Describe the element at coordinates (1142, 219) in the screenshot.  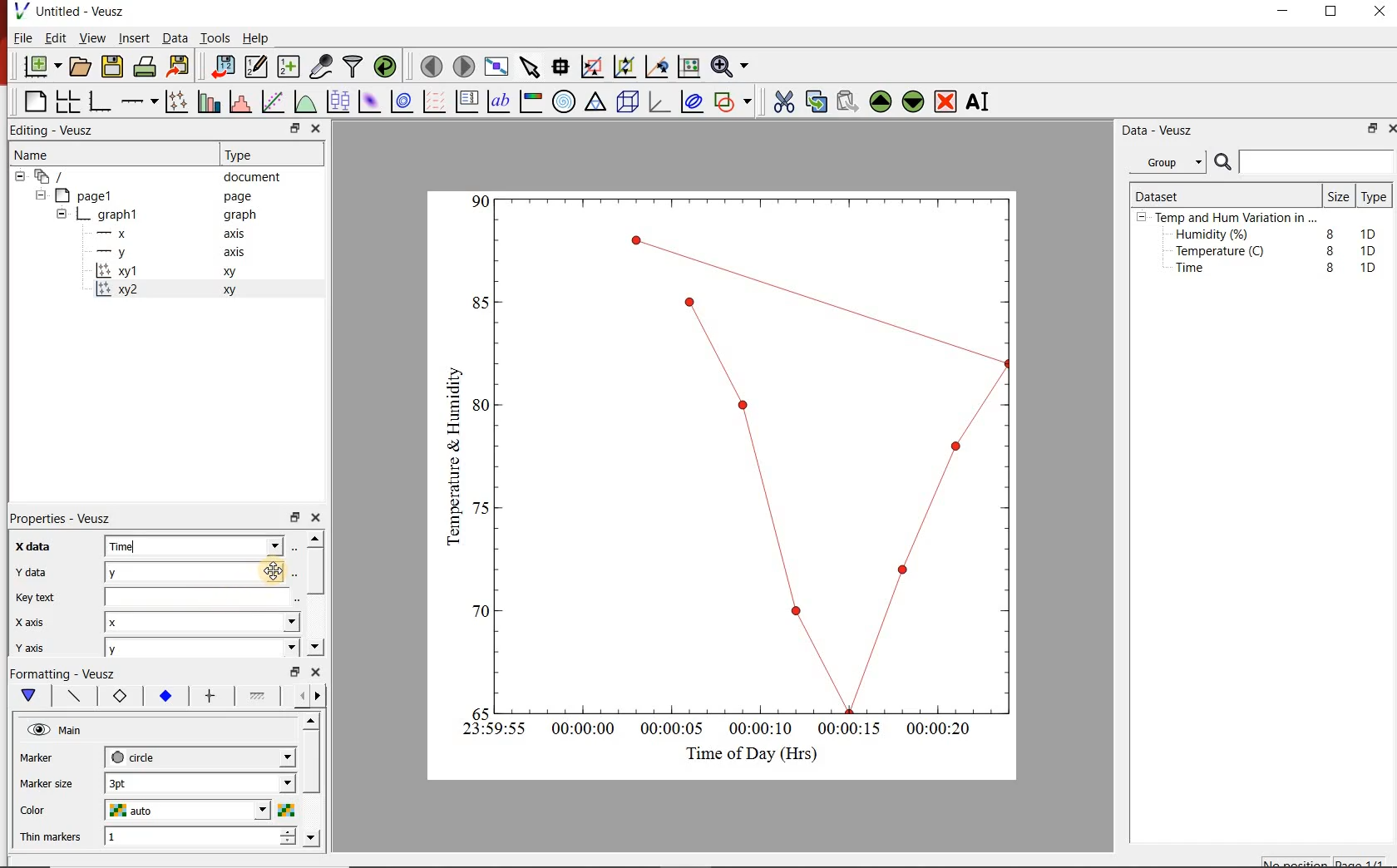
I see `hide sub menu` at that location.